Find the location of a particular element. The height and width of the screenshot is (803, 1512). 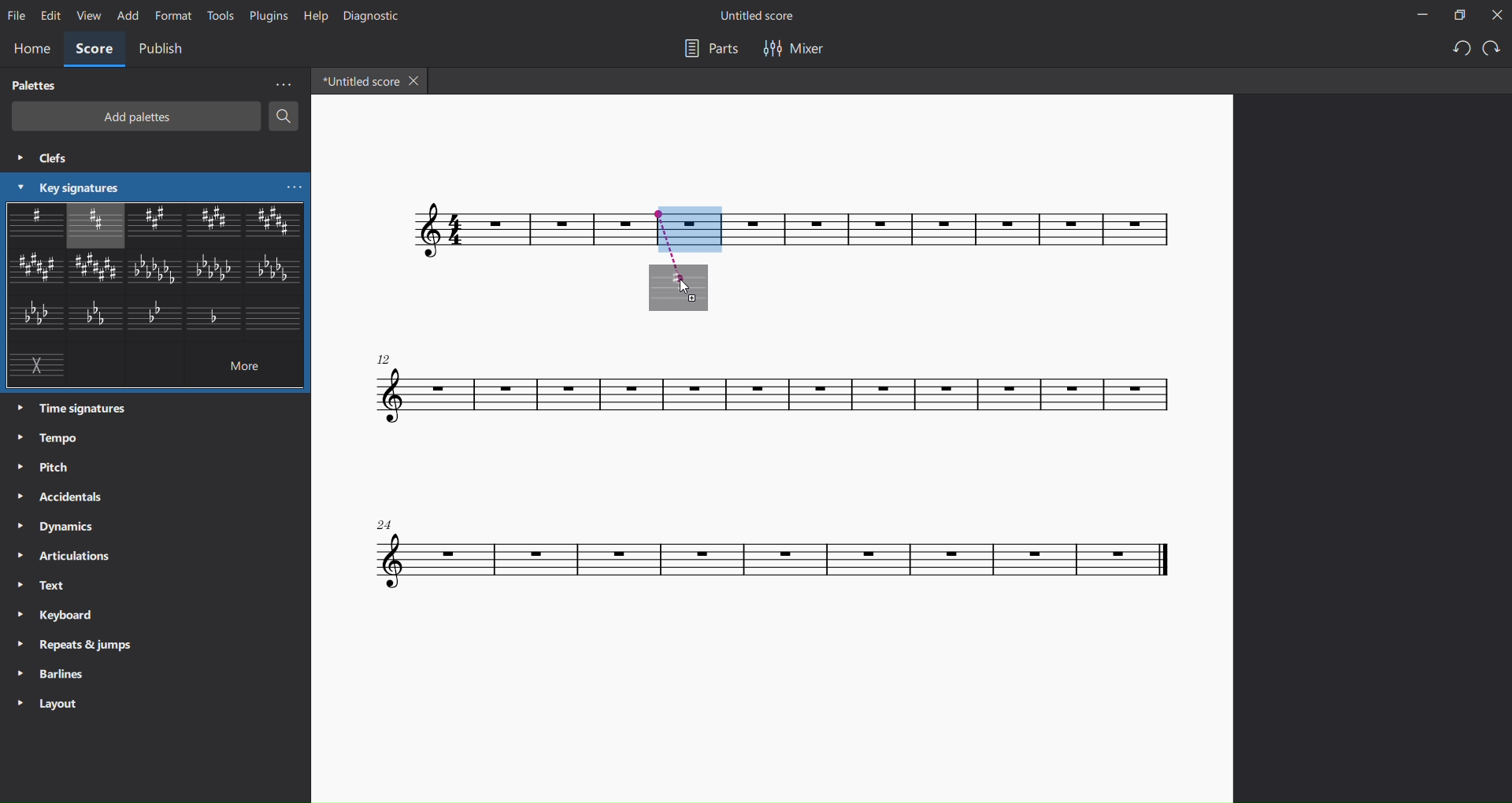

home is located at coordinates (30, 48).